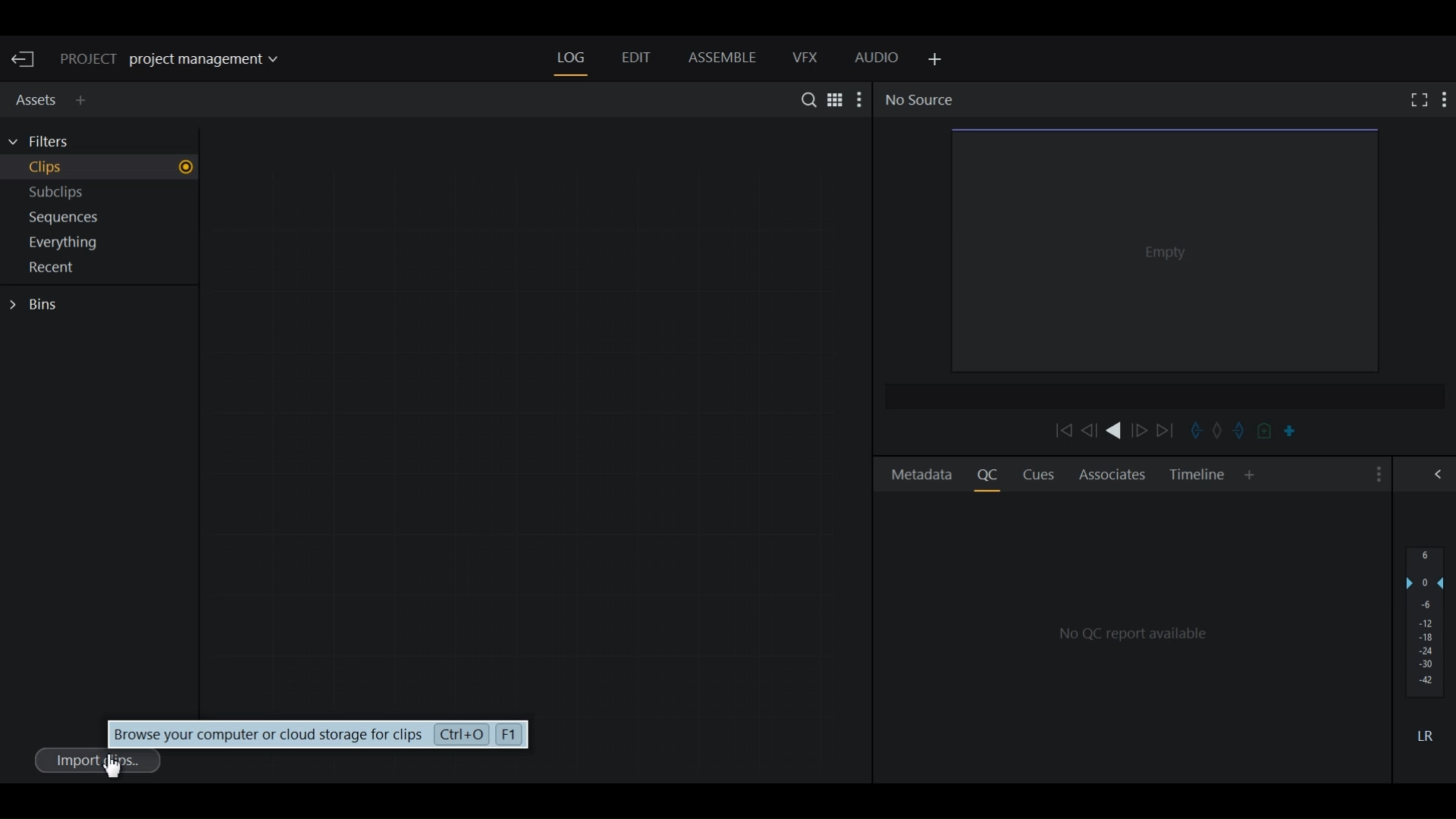 The image size is (1456, 819). What do you see at coordinates (806, 58) in the screenshot?
I see `VFX` at bounding box center [806, 58].